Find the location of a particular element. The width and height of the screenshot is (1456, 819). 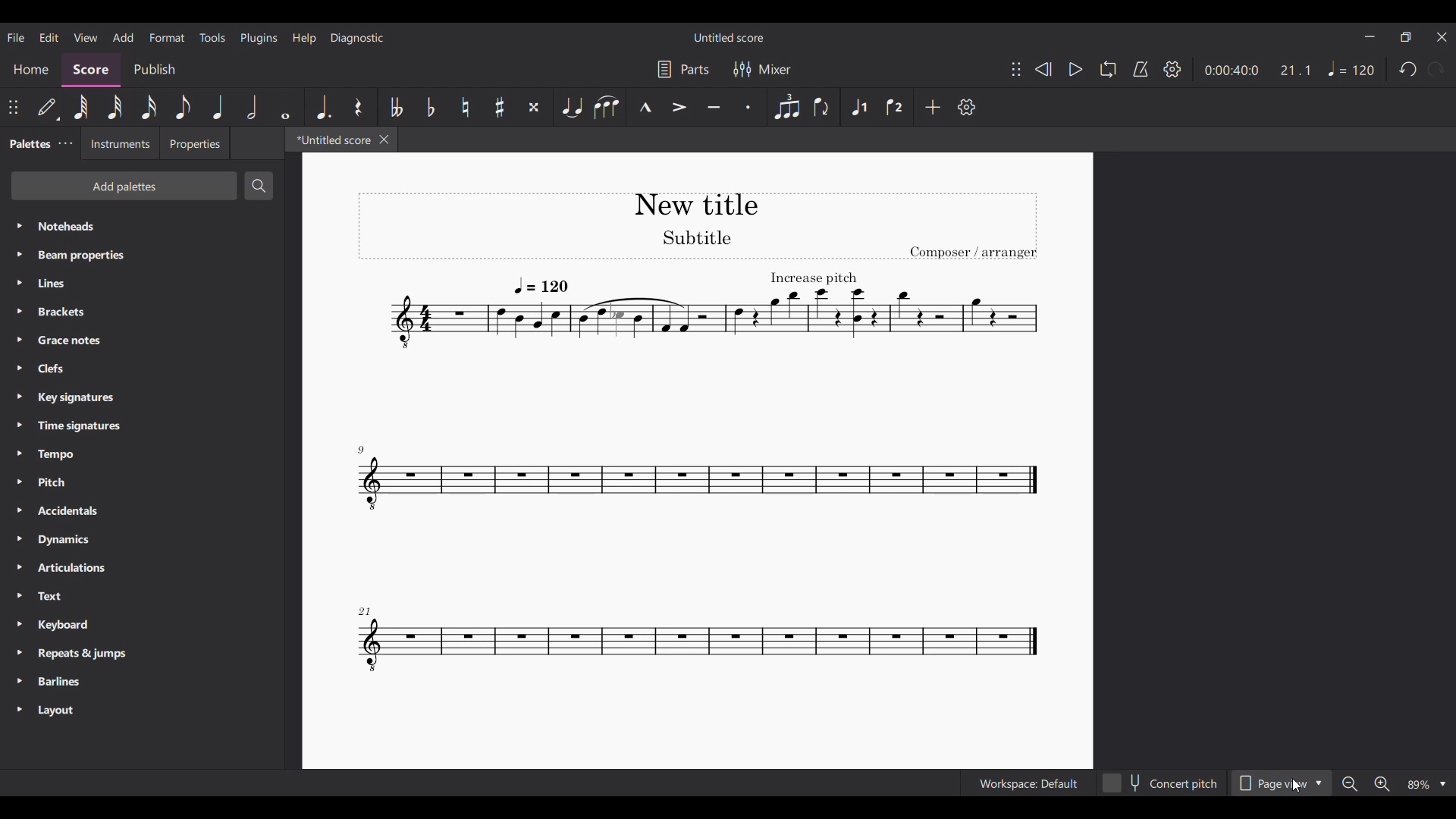

Half note is located at coordinates (252, 106).